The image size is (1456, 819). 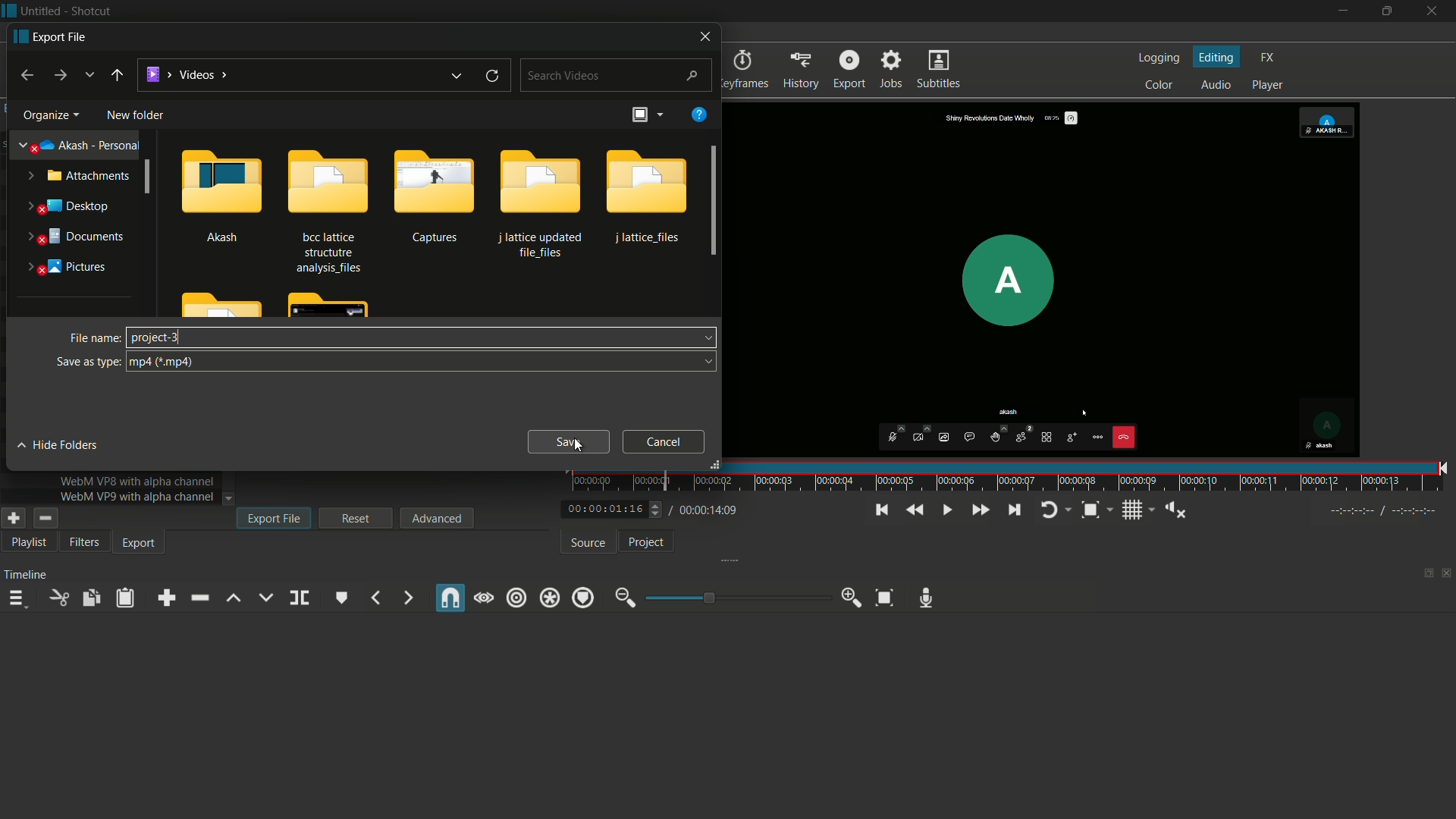 What do you see at coordinates (703, 339) in the screenshot?
I see `dropdown` at bounding box center [703, 339].